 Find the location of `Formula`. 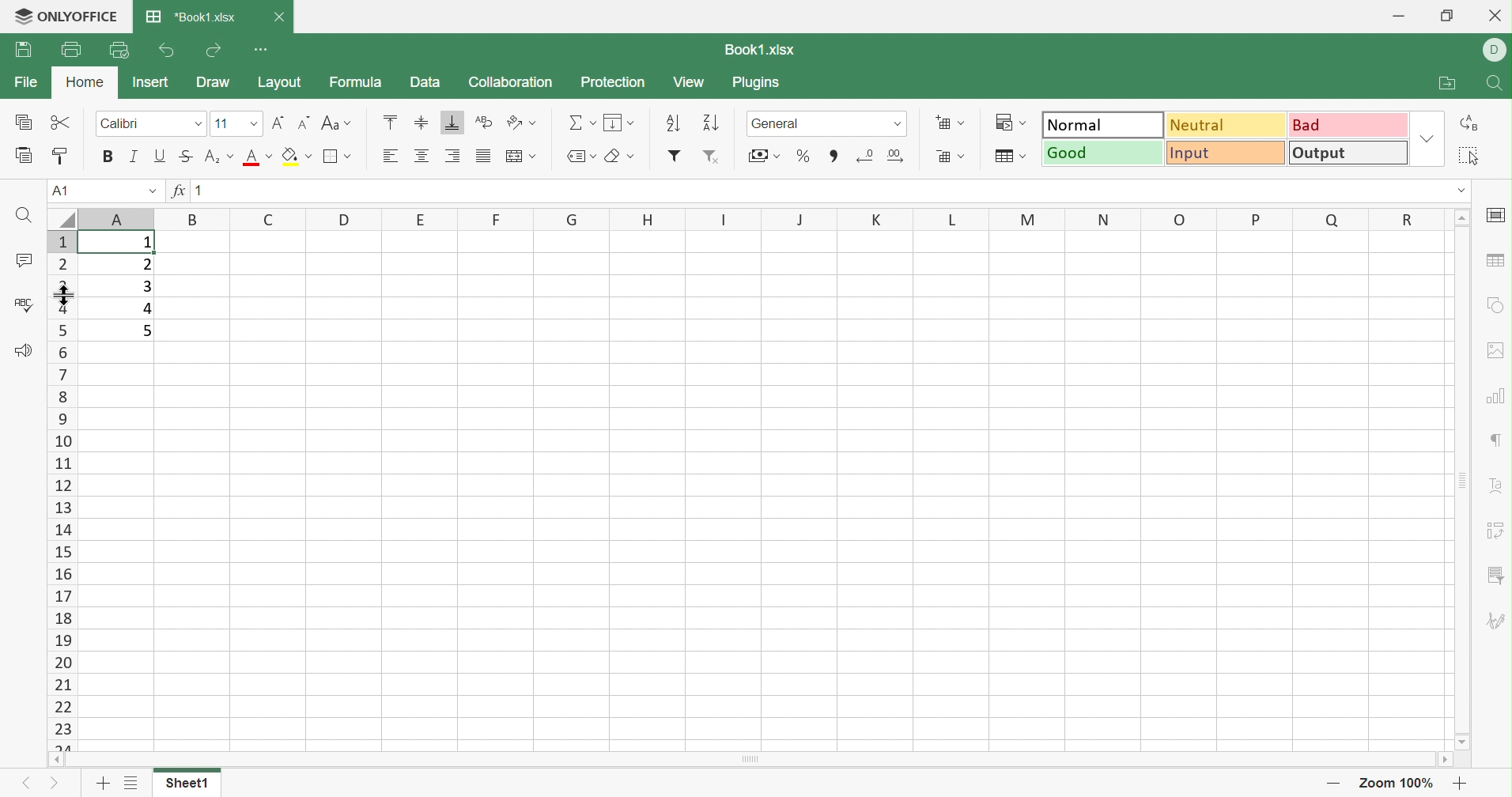

Formula is located at coordinates (359, 82).